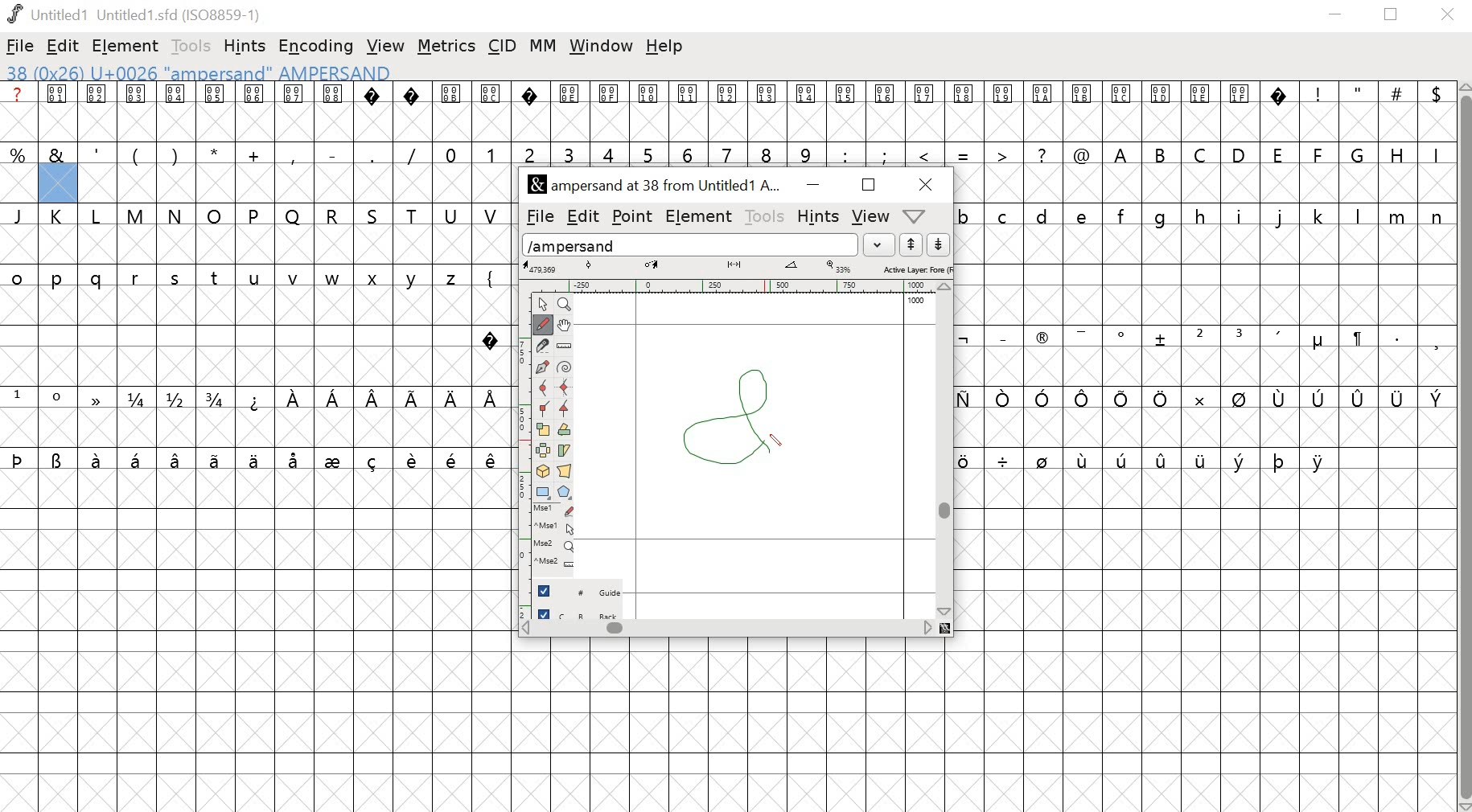 This screenshot has width=1472, height=812. What do you see at coordinates (1082, 335) in the screenshot?
I see `symbol` at bounding box center [1082, 335].